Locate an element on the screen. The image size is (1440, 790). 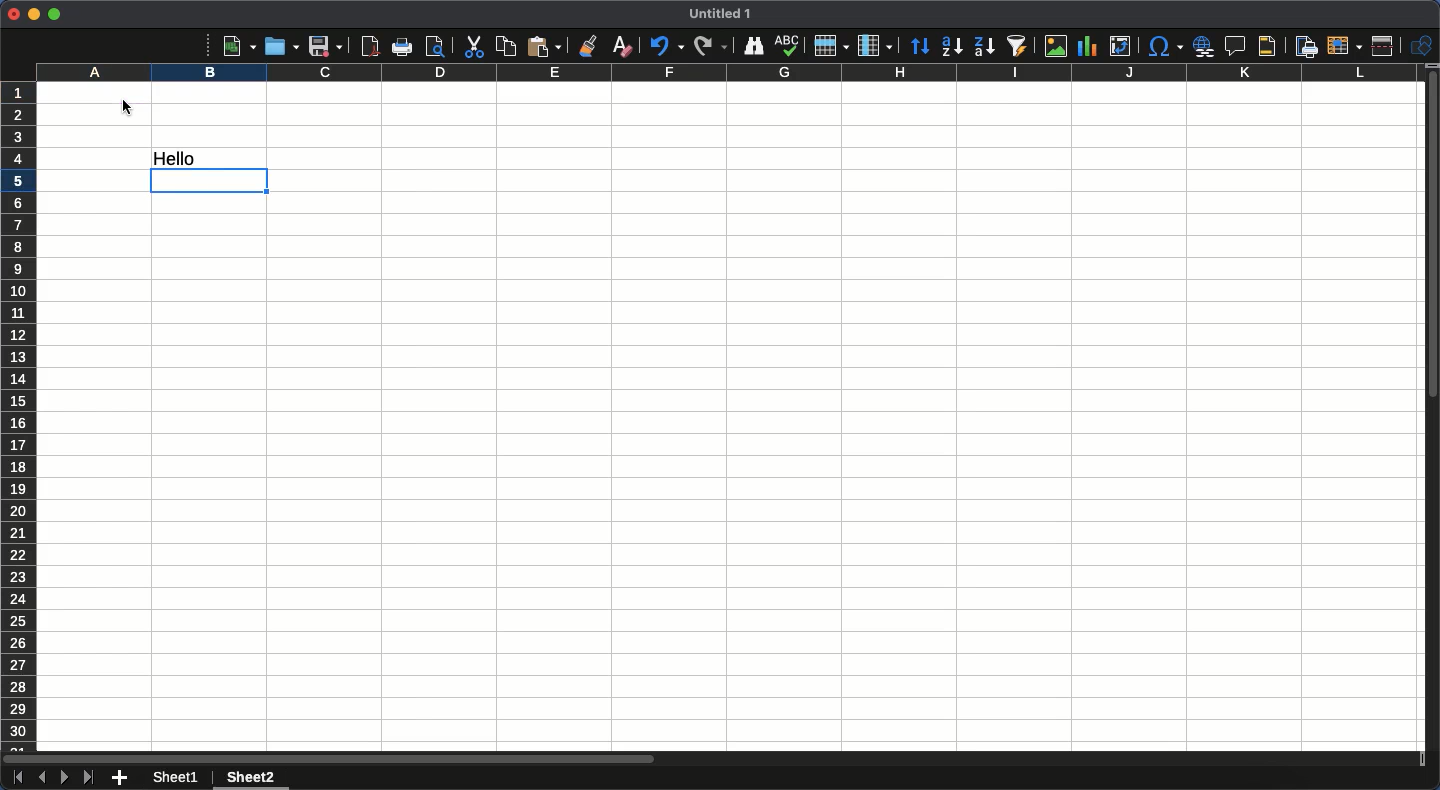
Special characters is located at coordinates (1164, 46).